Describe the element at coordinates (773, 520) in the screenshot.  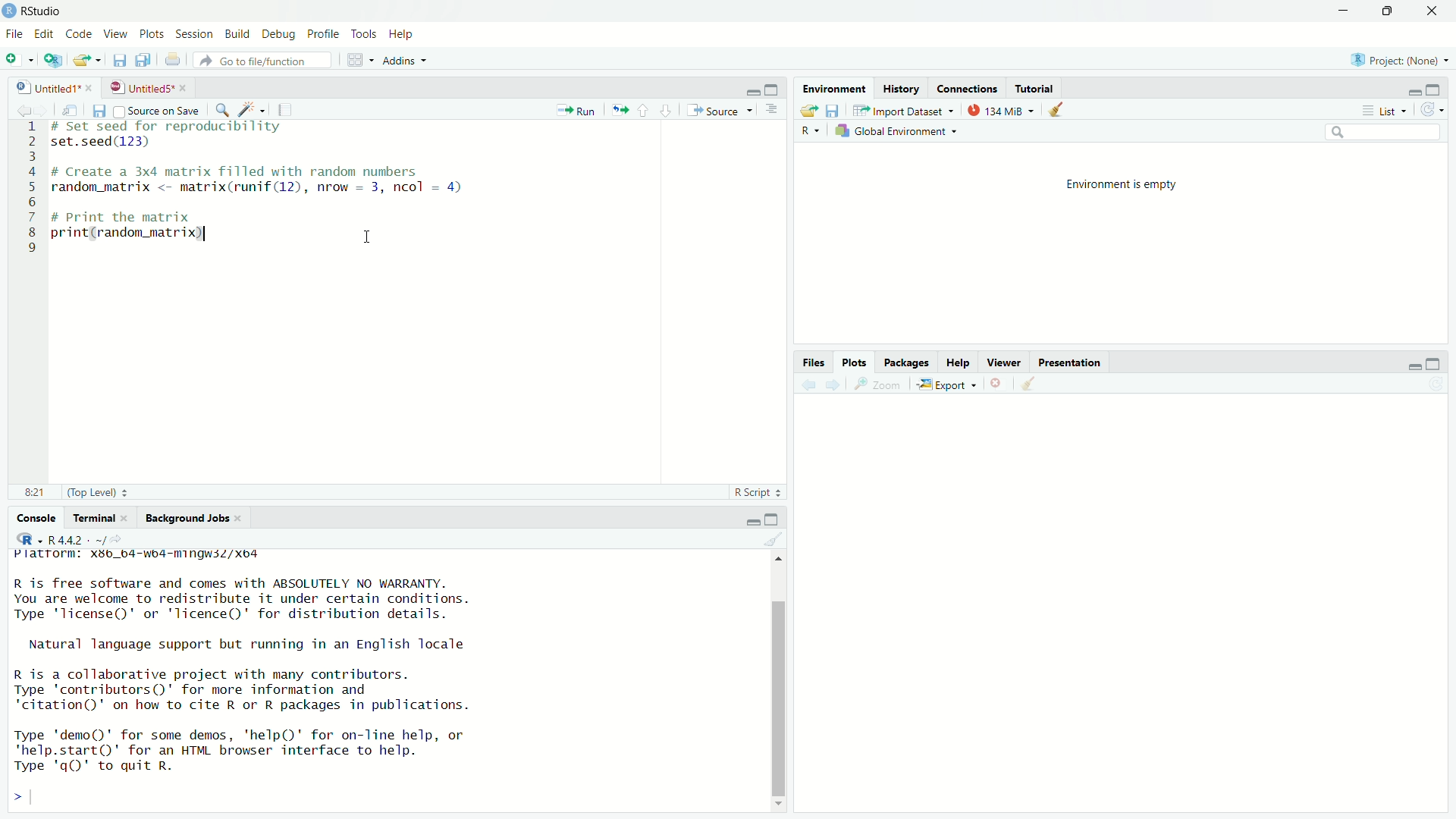
I see `maximise` at that location.